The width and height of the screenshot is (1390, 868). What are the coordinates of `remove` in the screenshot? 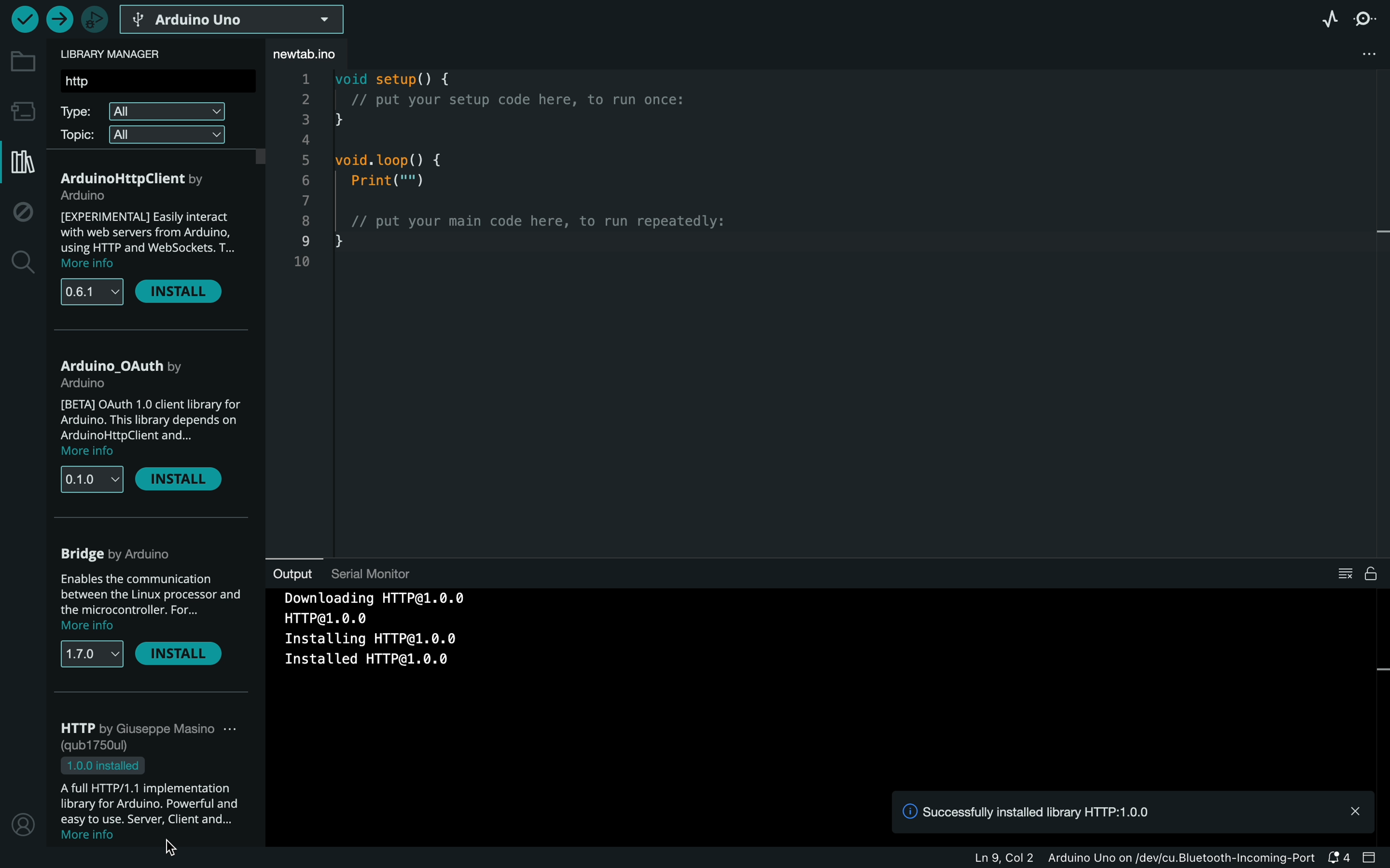 It's located at (182, 478).